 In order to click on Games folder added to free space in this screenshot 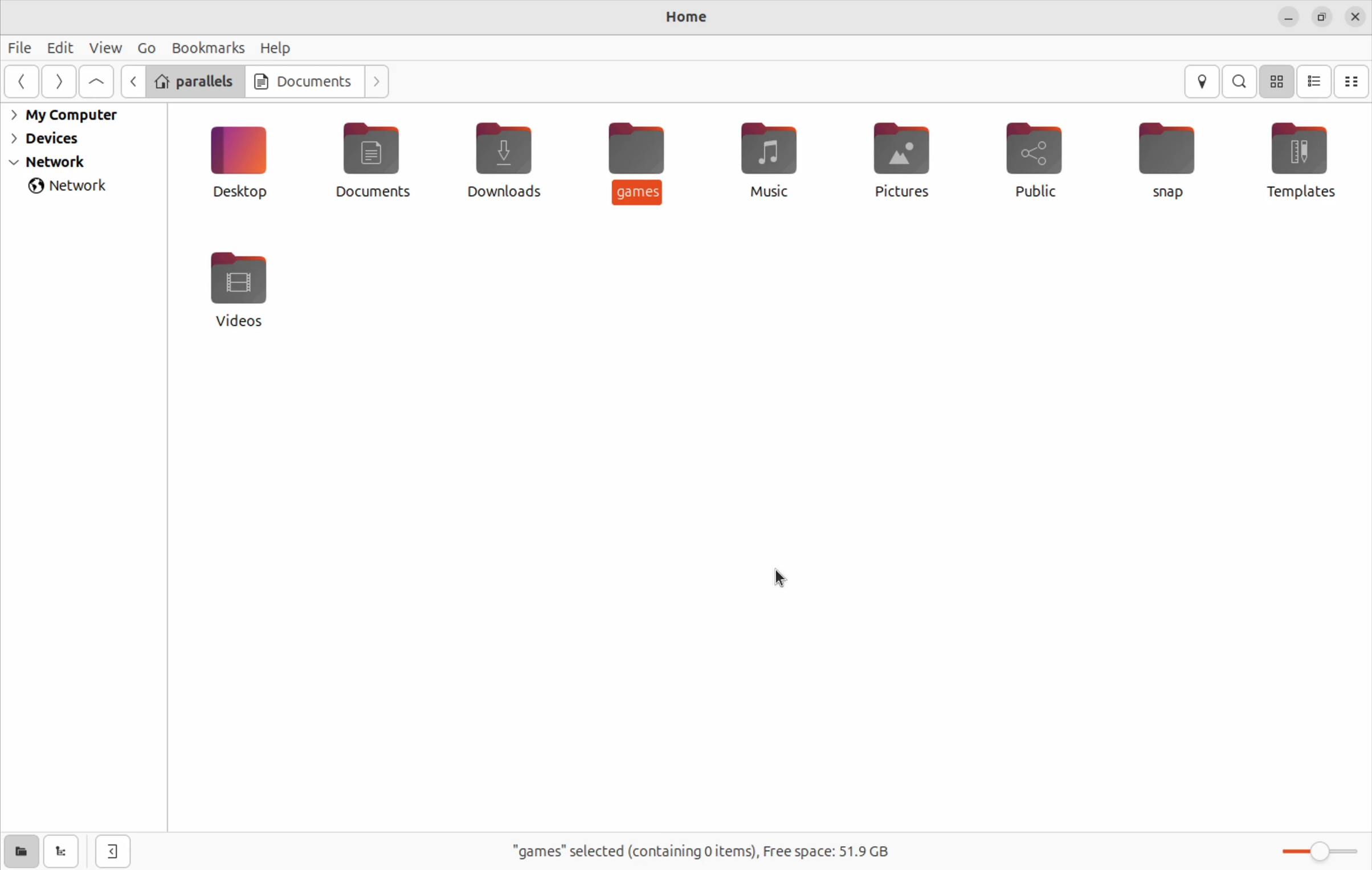, I will do `click(699, 852)`.